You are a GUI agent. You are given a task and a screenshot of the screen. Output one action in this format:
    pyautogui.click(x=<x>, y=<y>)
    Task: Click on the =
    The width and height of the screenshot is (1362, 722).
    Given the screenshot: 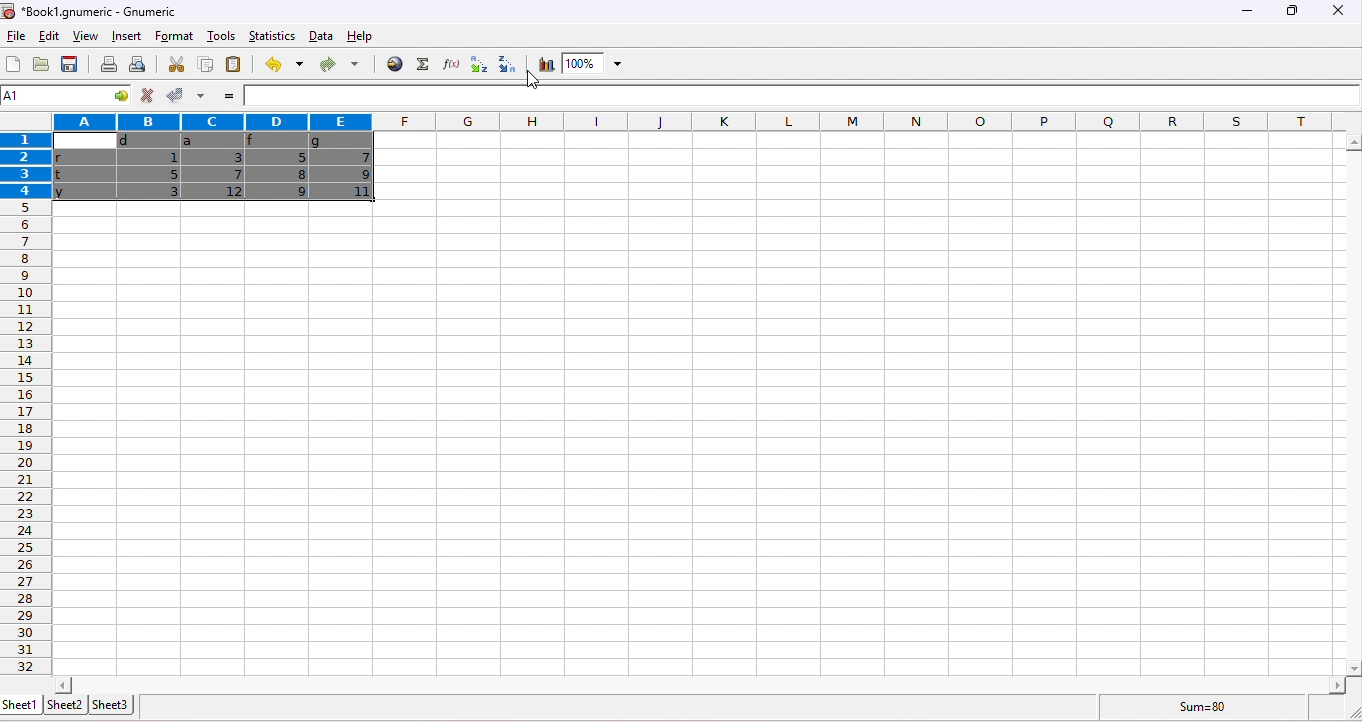 What is the action you would take?
    pyautogui.click(x=231, y=96)
    